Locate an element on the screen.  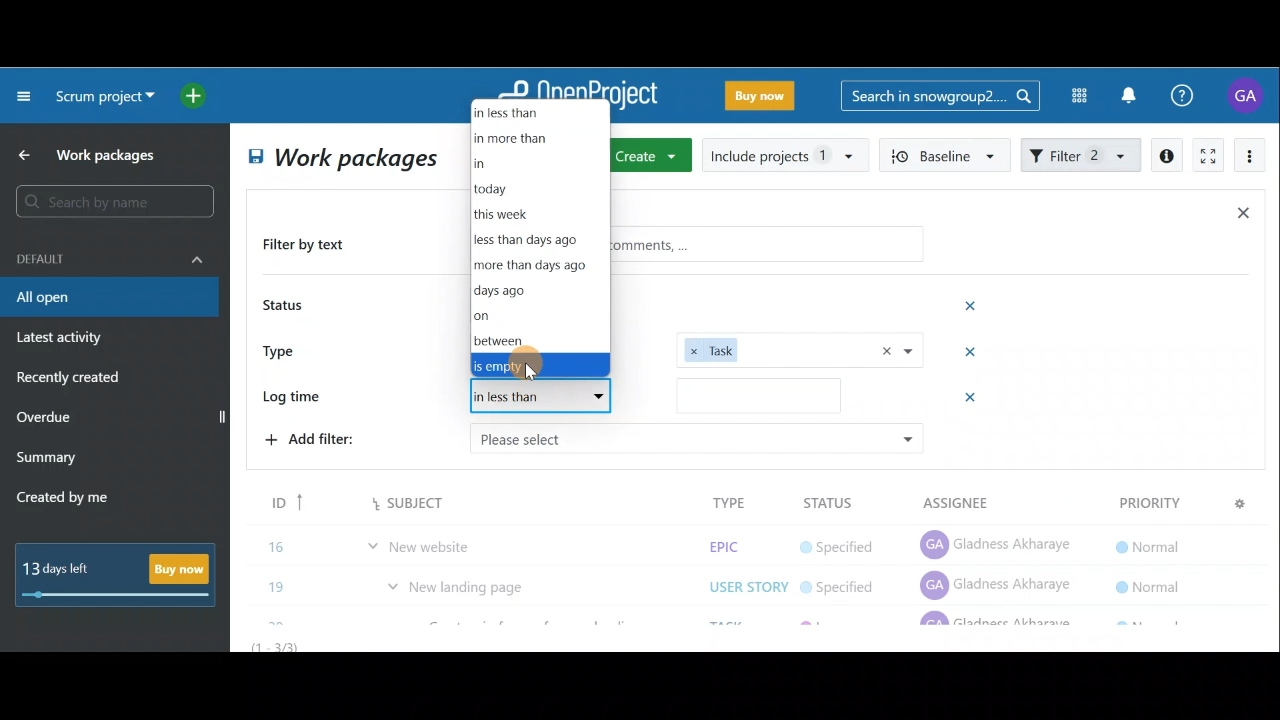
Latest activity is located at coordinates (62, 340).